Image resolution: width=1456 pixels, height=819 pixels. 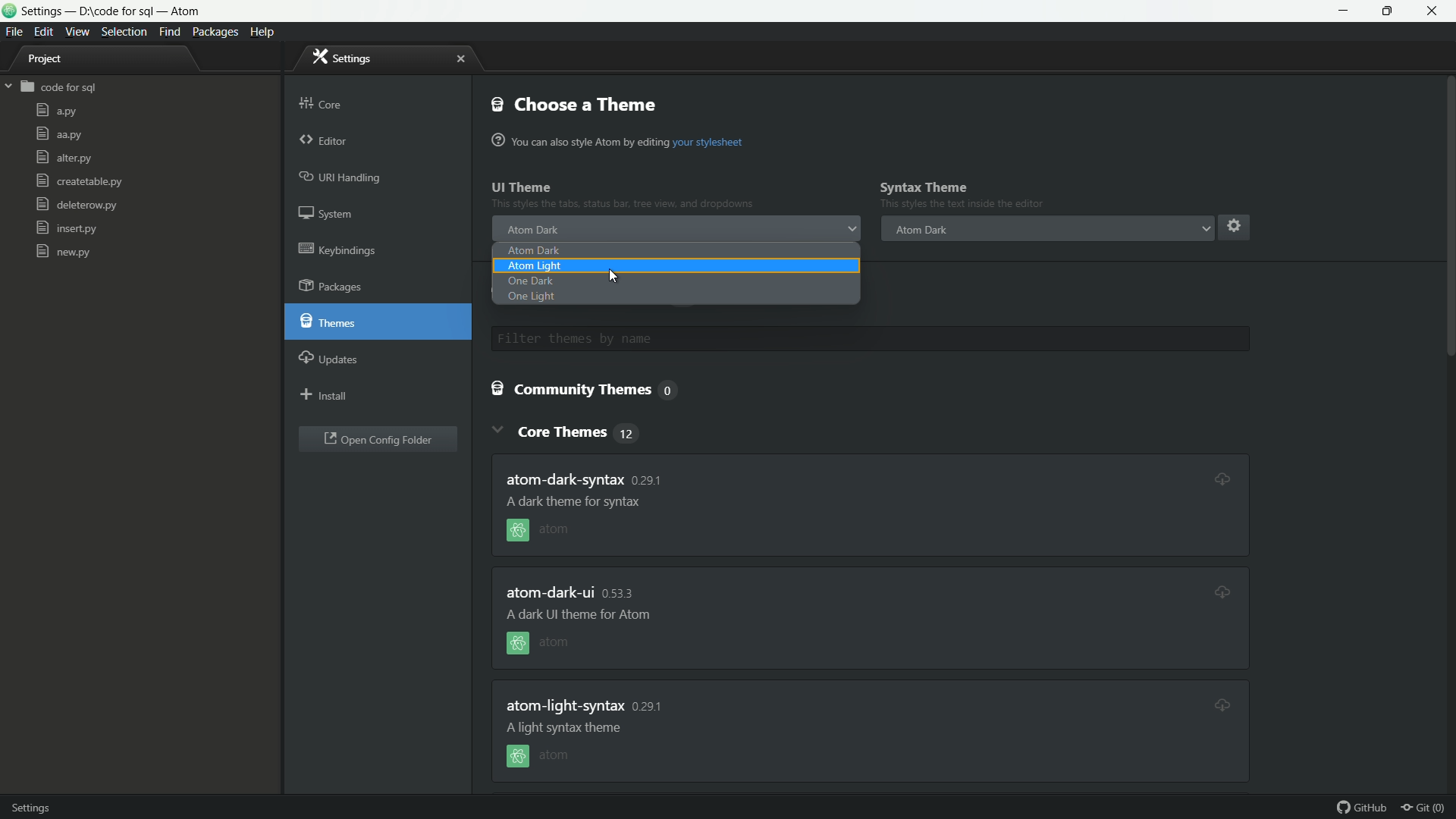 I want to click on core, so click(x=322, y=101).